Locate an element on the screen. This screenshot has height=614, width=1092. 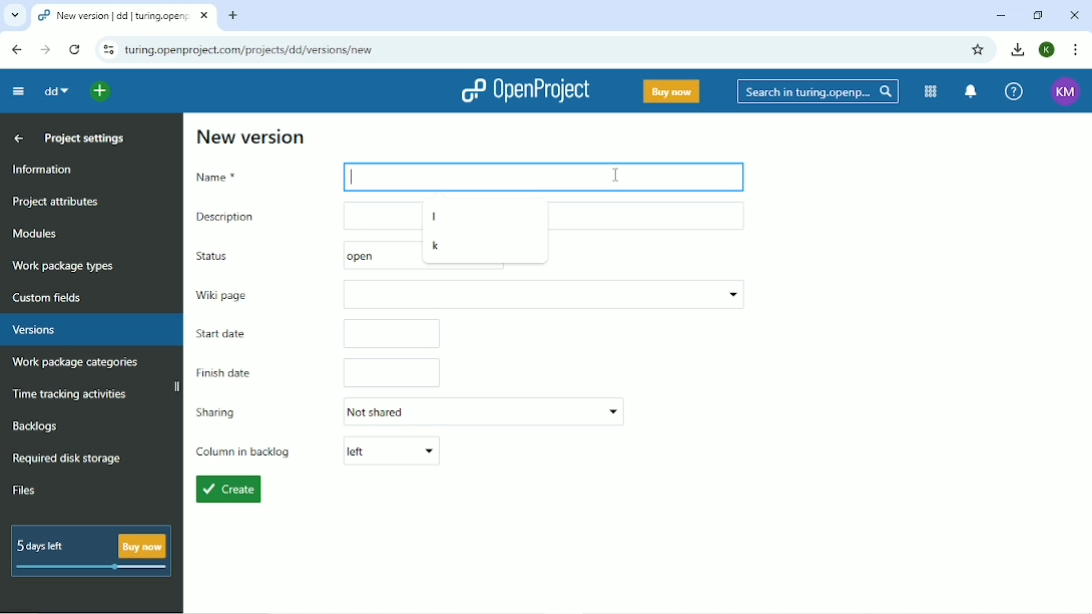
View site information is located at coordinates (108, 49).